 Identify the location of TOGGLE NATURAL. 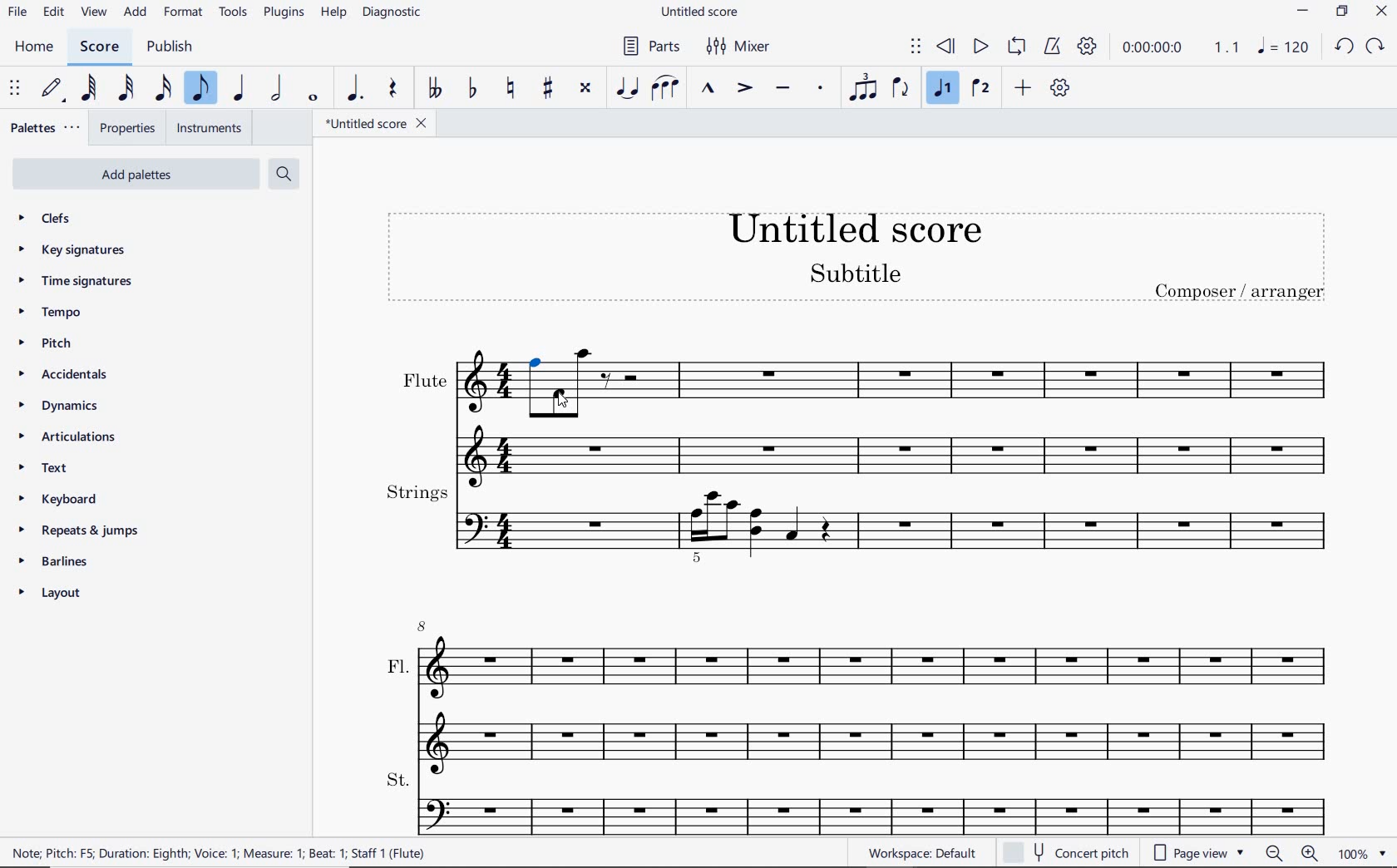
(511, 89).